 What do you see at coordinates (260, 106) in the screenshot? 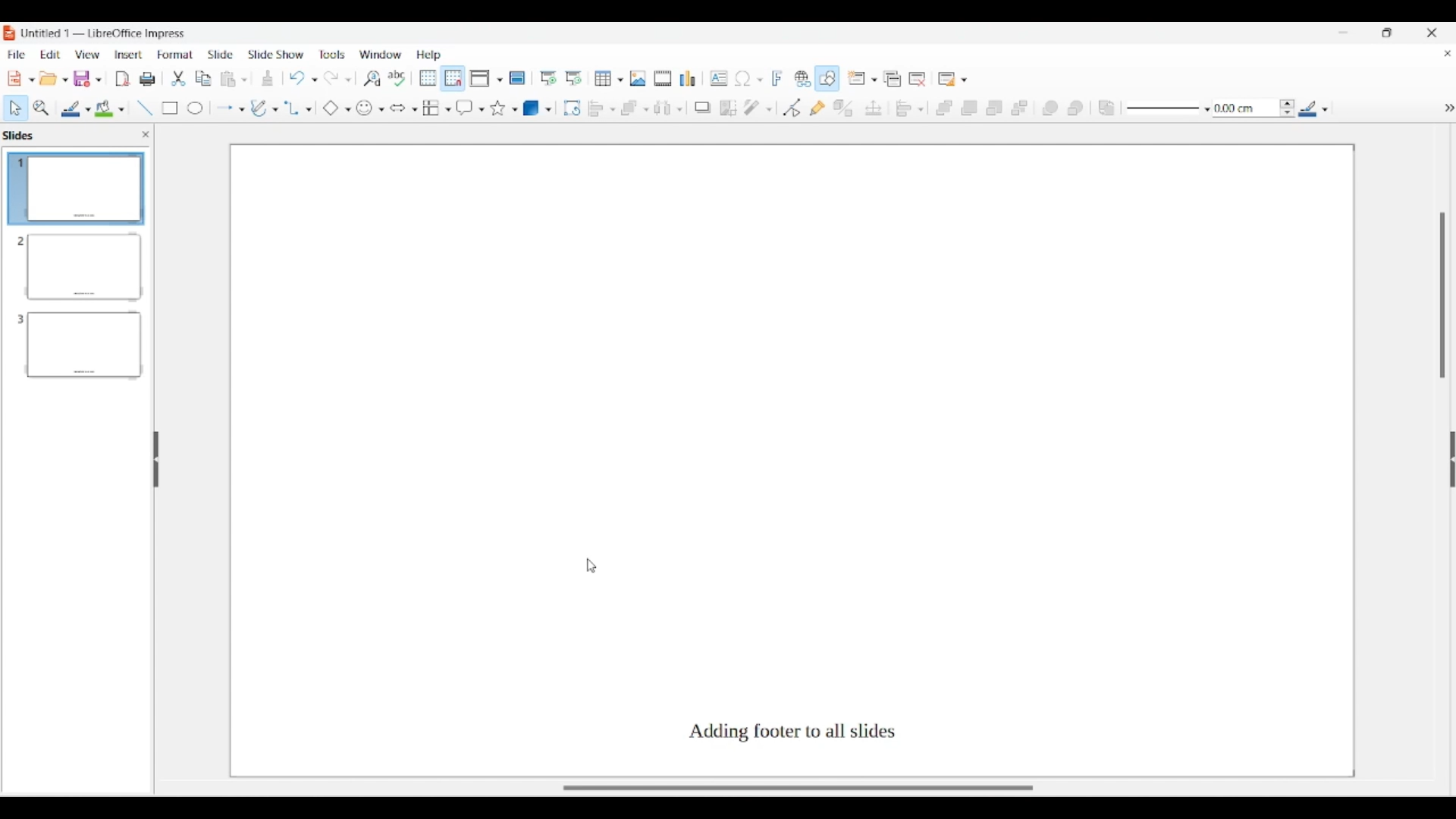
I see `Write` at bounding box center [260, 106].